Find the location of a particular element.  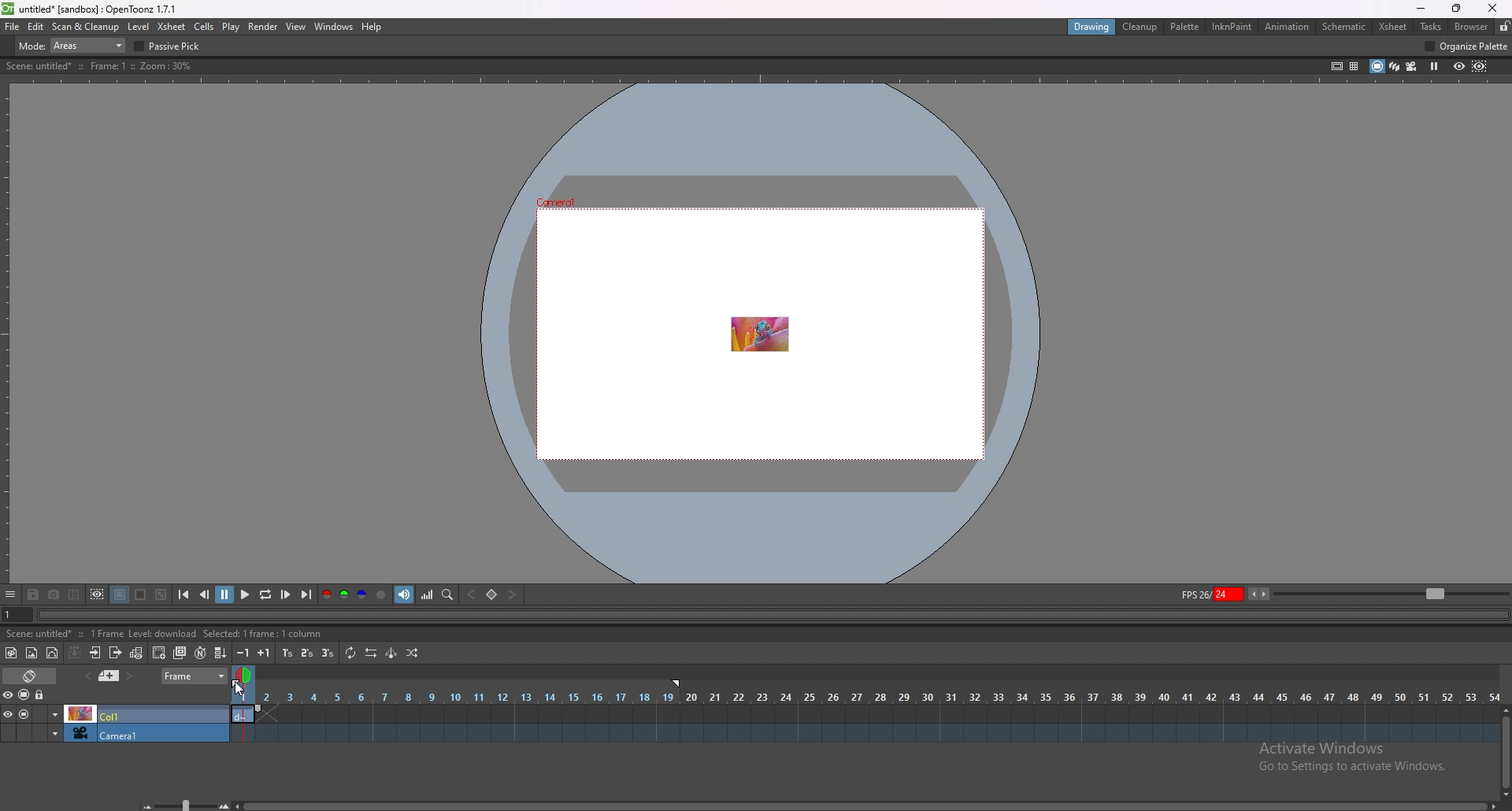

organize palette is located at coordinates (1467, 46).